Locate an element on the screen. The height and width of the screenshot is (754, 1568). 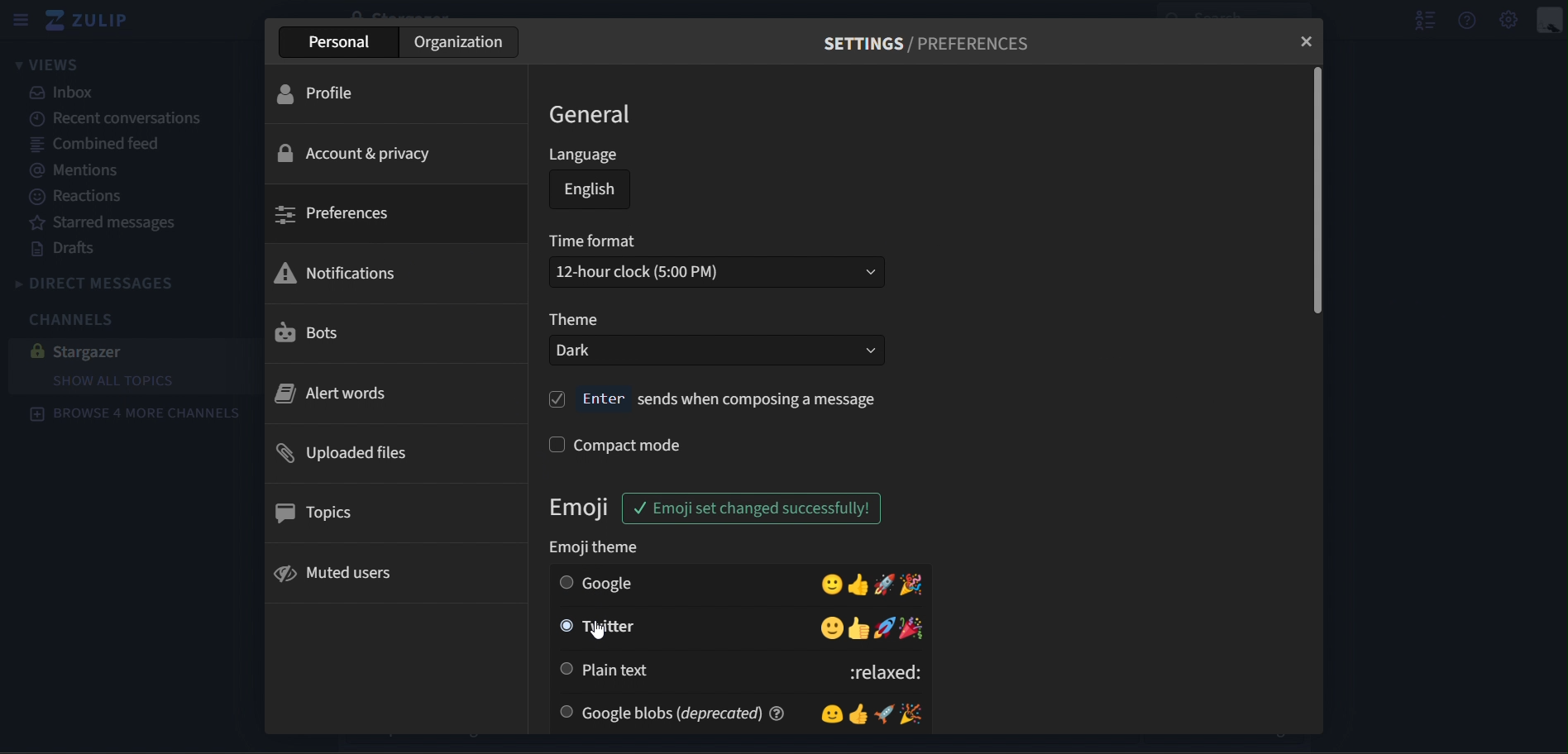
starred messages is located at coordinates (110, 222).